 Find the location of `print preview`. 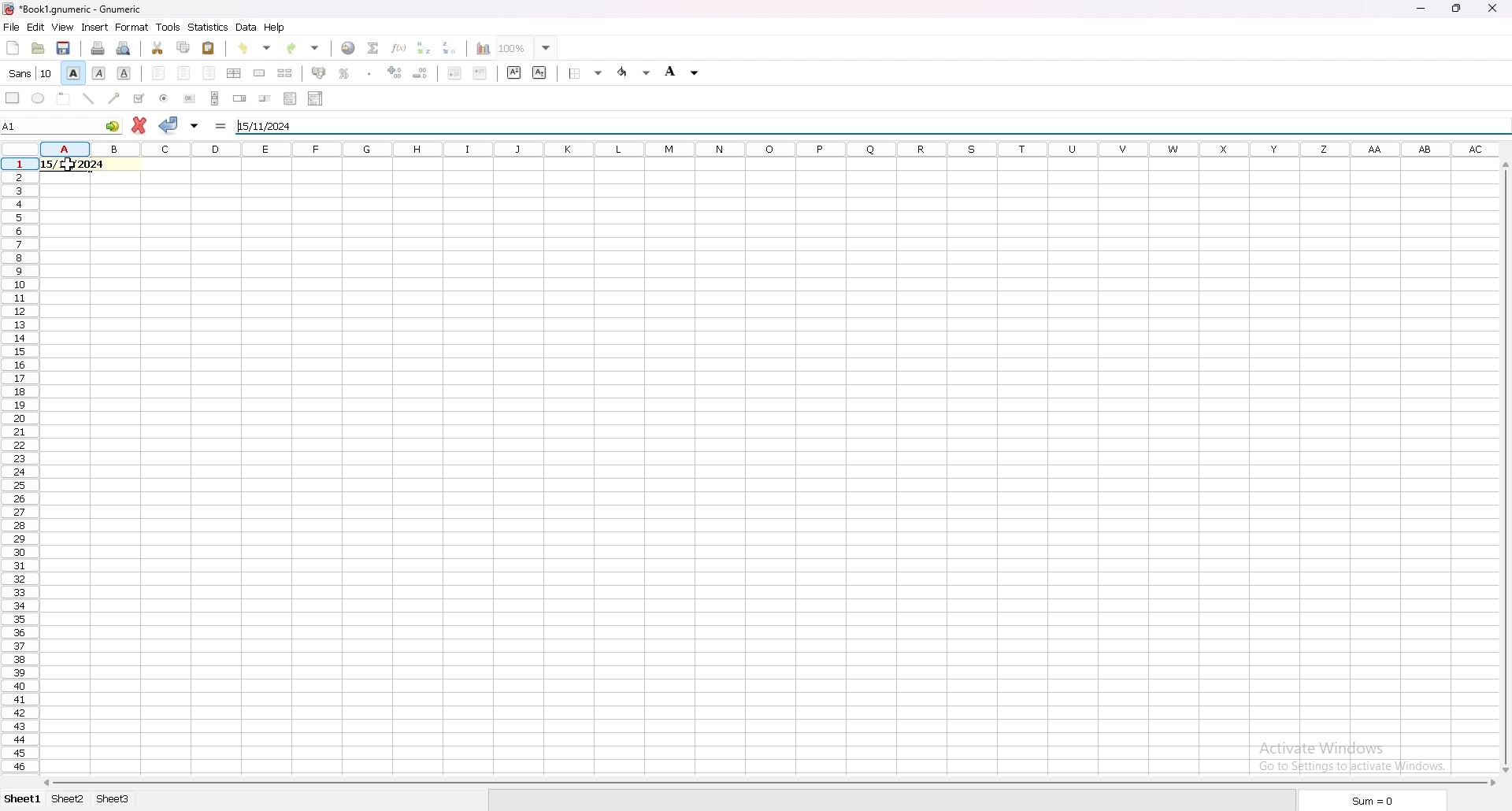

print preview is located at coordinates (123, 49).